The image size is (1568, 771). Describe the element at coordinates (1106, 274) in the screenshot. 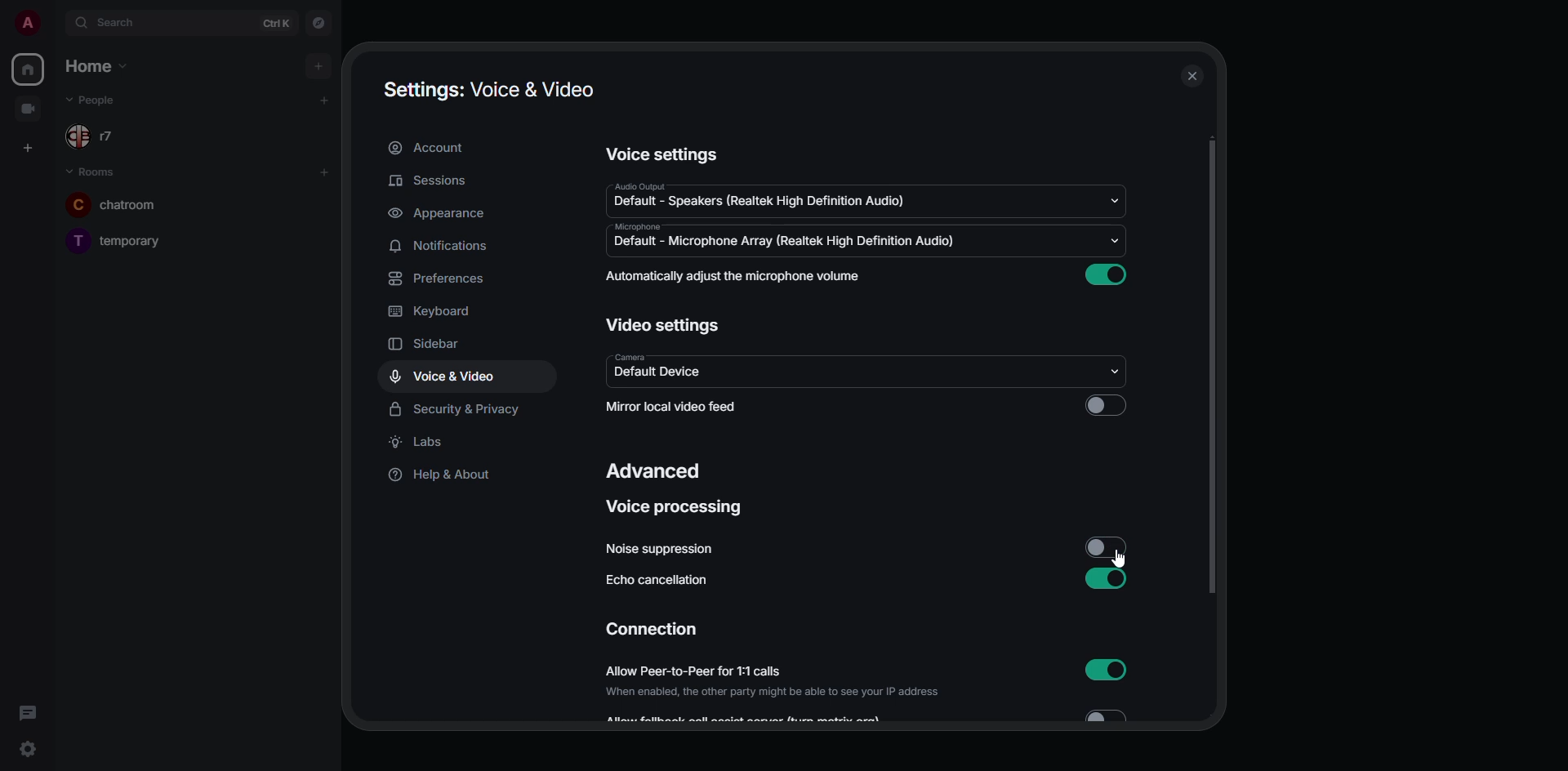

I see `enabled` at that location.